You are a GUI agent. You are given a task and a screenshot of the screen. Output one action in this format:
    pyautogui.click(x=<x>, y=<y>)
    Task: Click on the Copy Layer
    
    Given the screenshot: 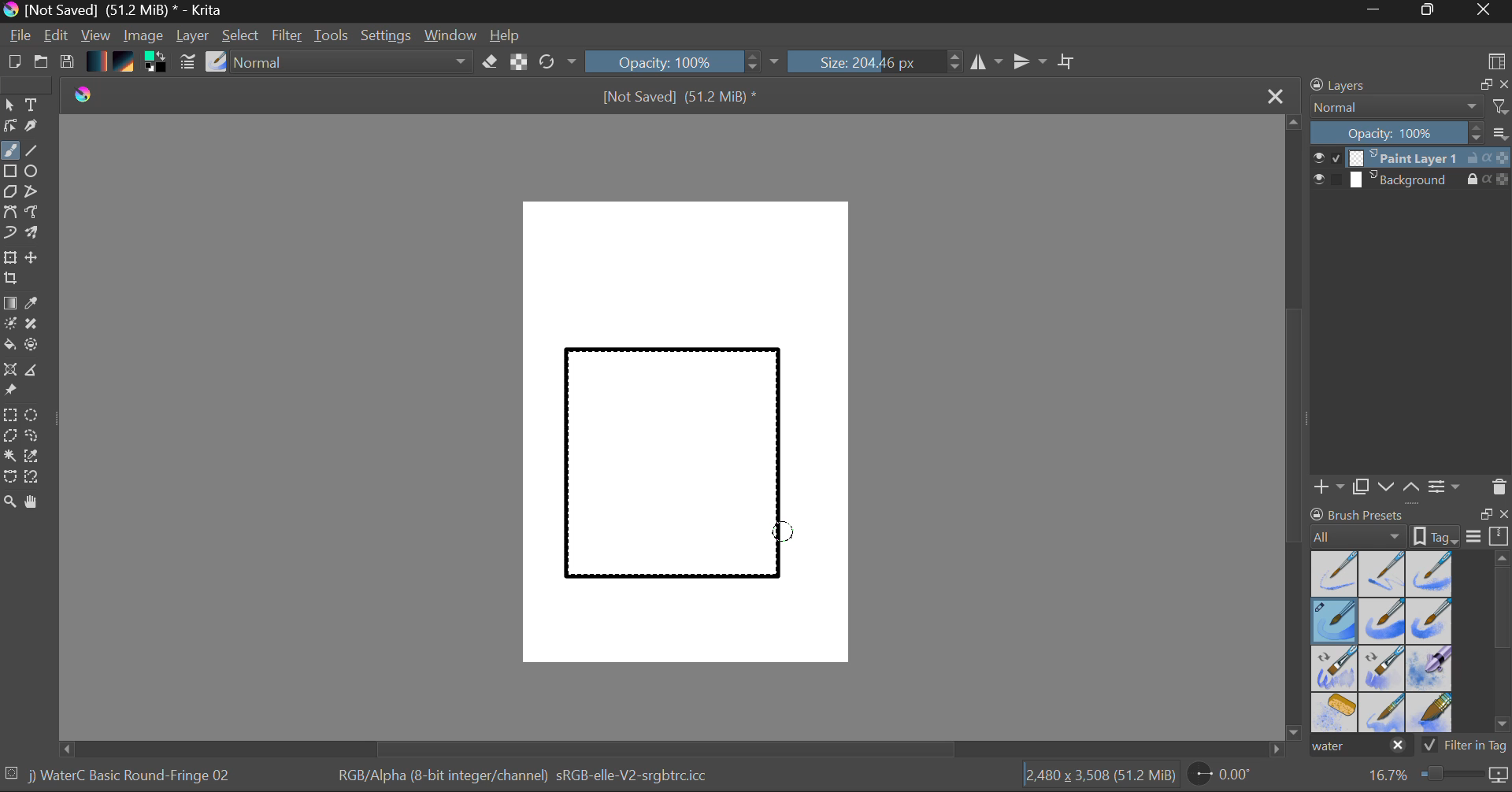 What is the action you would take?
    pyautogui.click(x=1362, y=487)
    